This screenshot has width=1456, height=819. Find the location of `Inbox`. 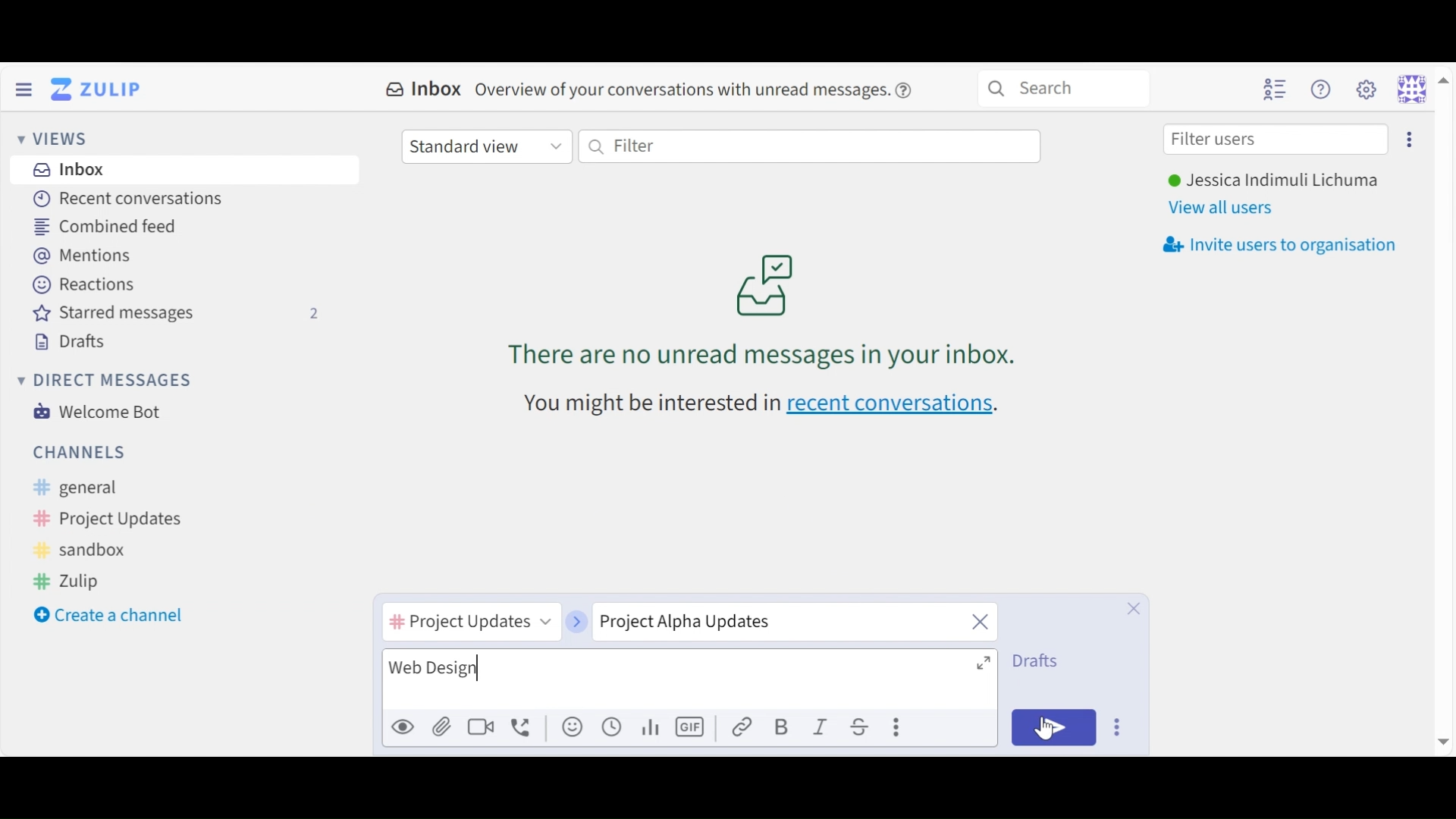

Inbox is located at coordinates (425, 89).